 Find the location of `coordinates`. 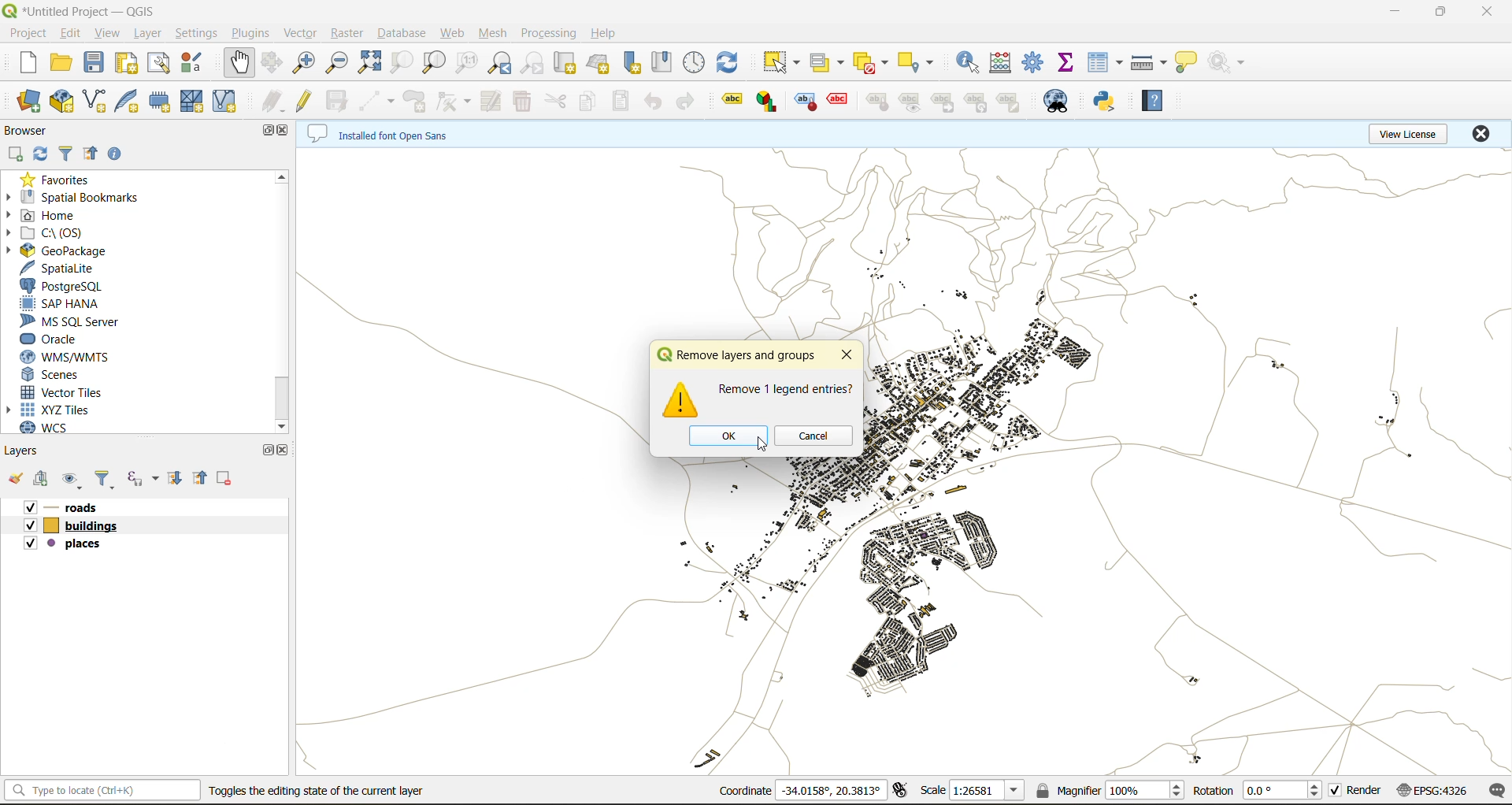

coordinates is located at coordinates (802, 789).